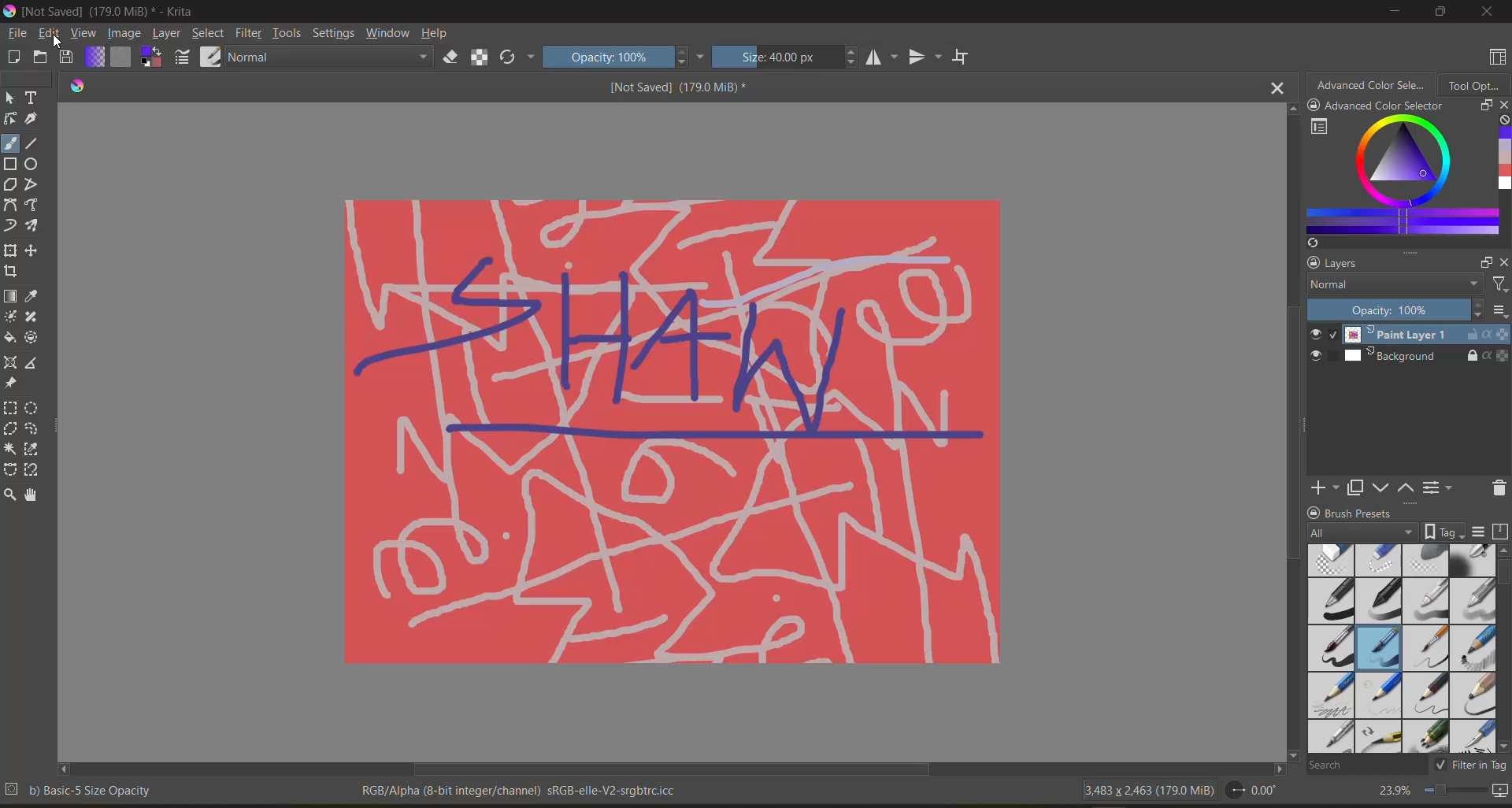 The height and width of the screenshot is (808, 1512). I want to click on Assistant tool, so click(11, 362).